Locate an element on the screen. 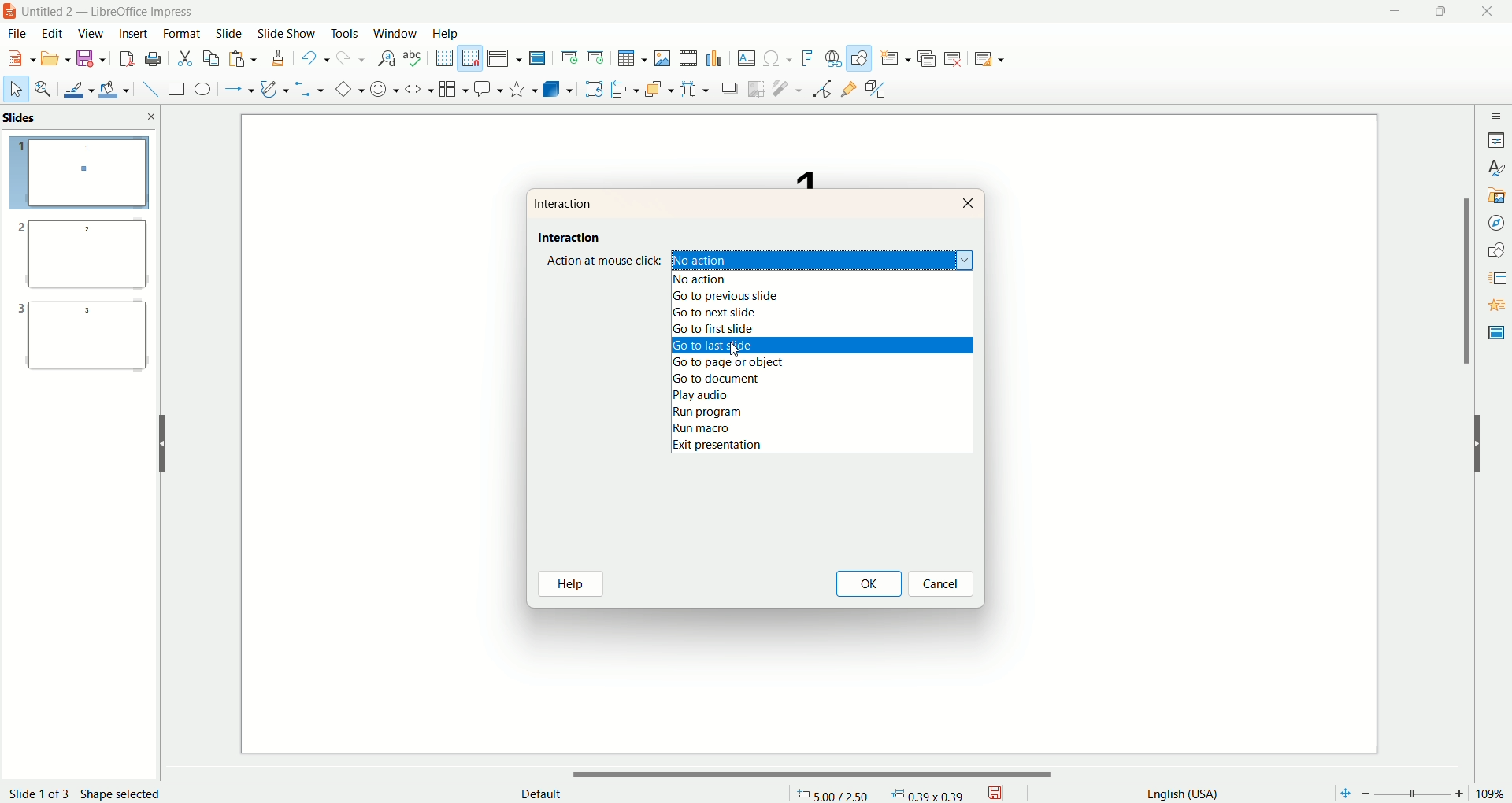 The width and height of the screenshot is (1512, 803). default is located at coordinates (539, 792).